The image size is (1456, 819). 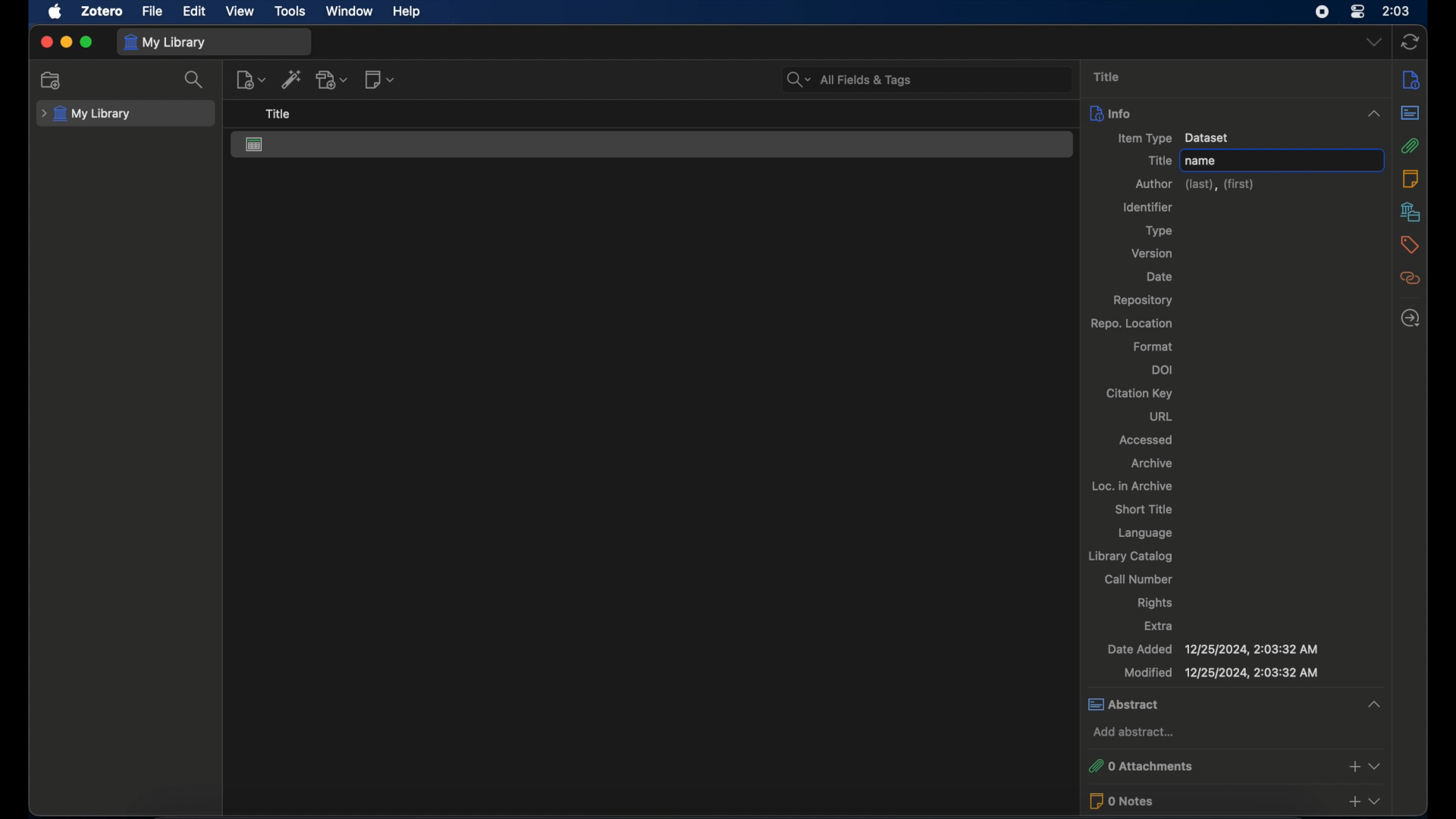 What do you see at coordinates (1129, 556) in the screenshot?
I see `library catalog` at bounding box center [1129, 556].